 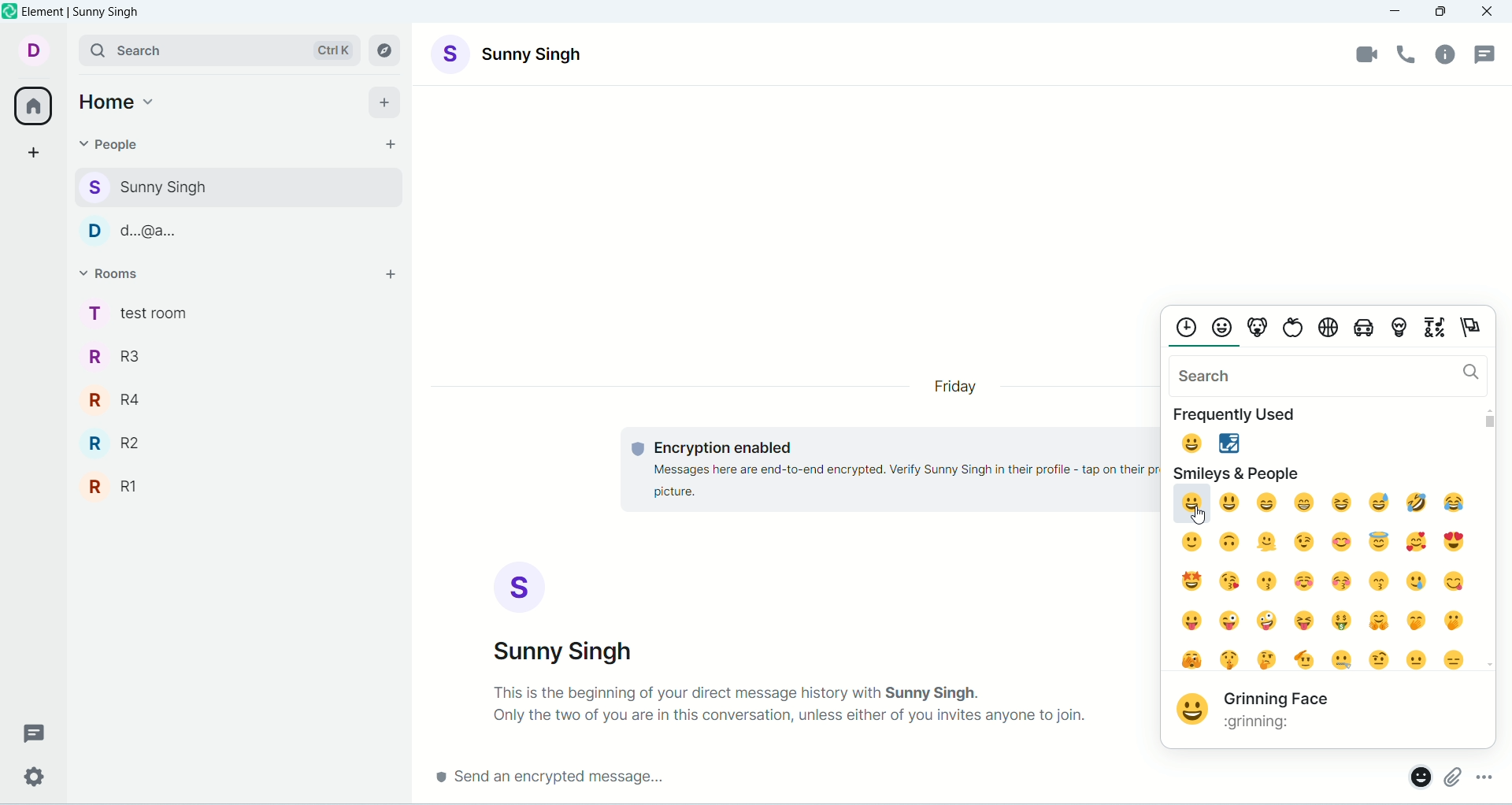 What do you see at coordinates (111, 143) in the screenshot?
I see `people` at bounding box center [111, 143].